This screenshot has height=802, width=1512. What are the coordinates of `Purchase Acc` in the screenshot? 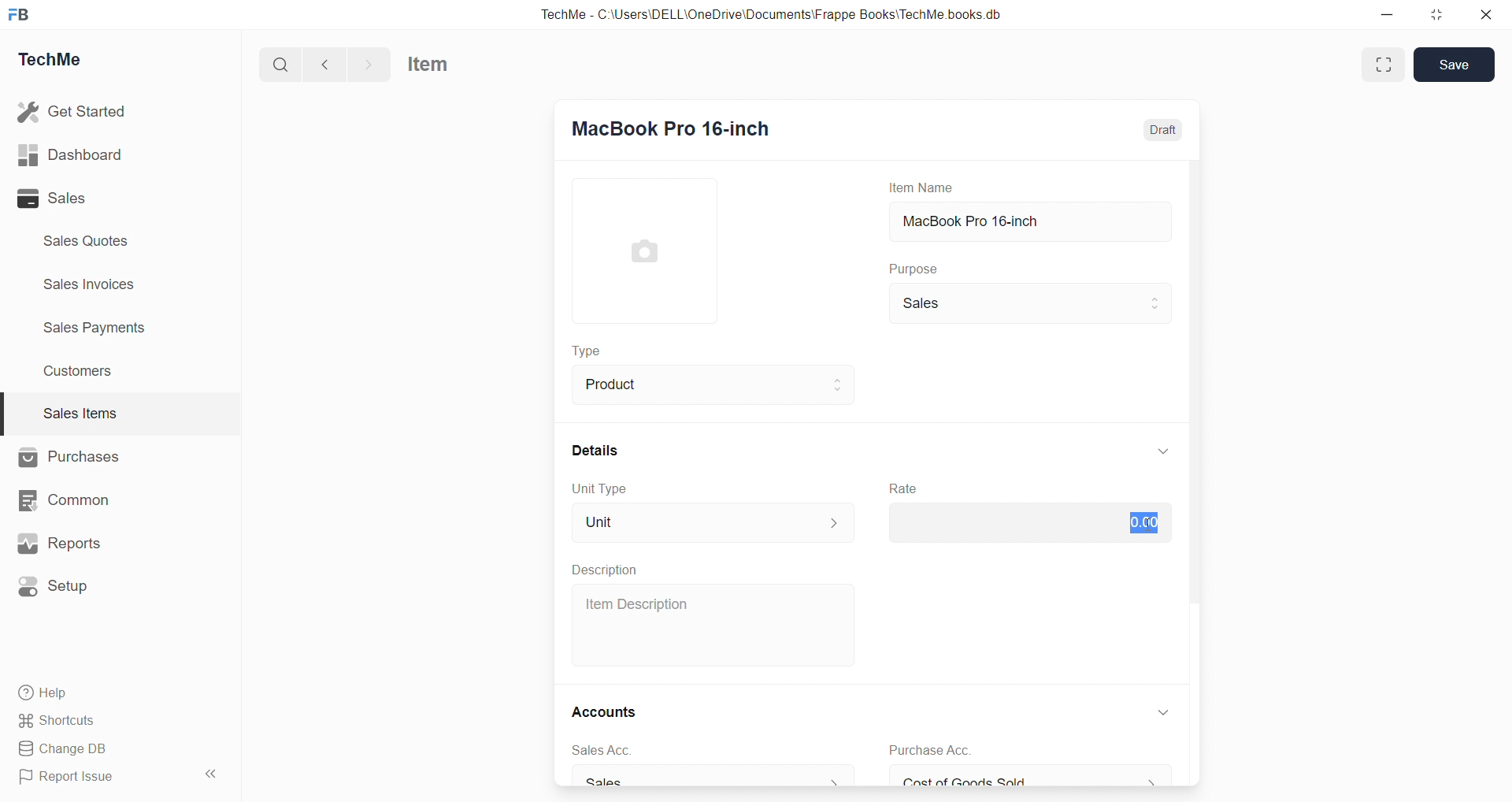 It's located at (930, 751).